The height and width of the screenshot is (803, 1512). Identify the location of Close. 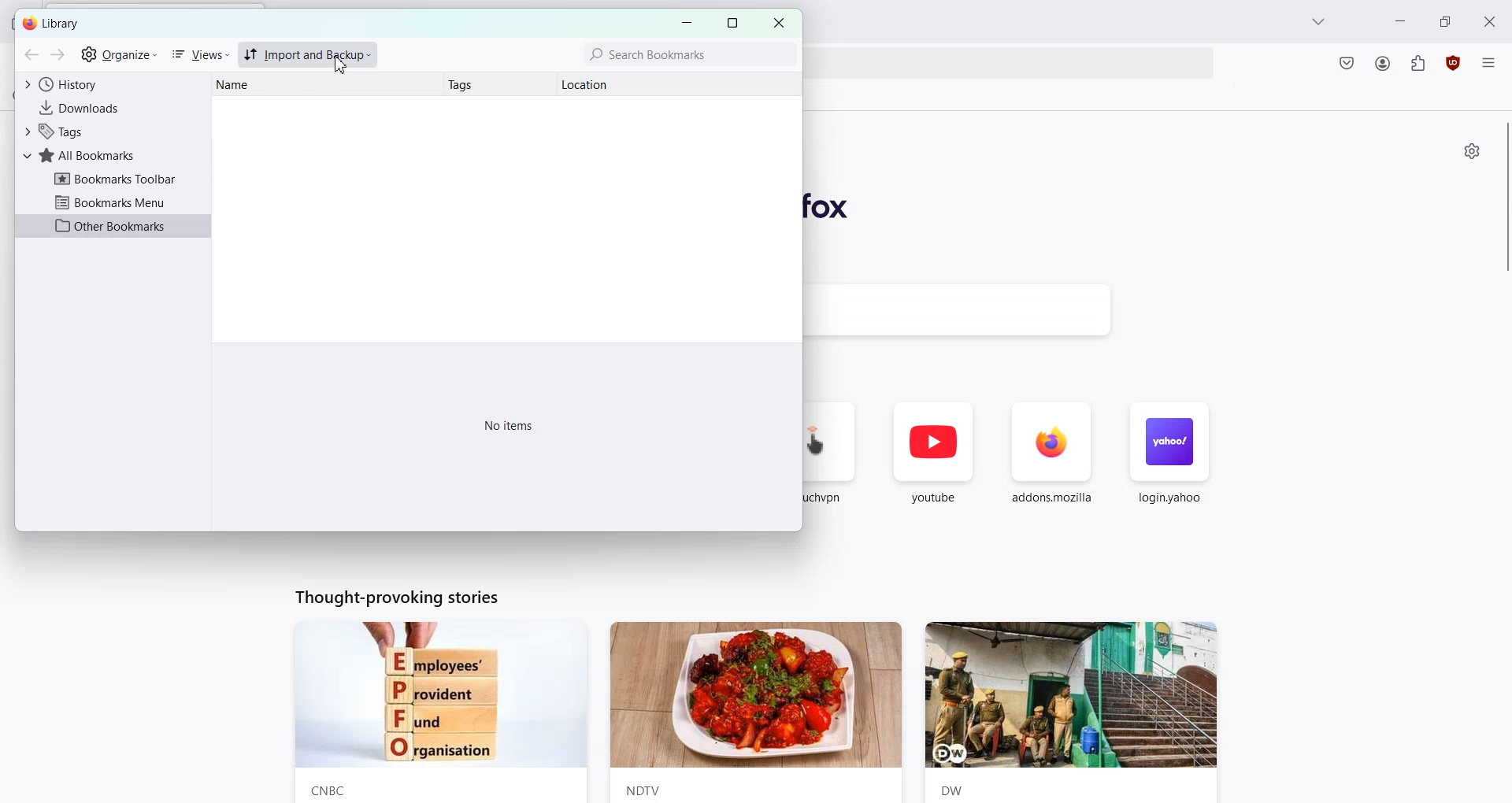
(1491, 20).